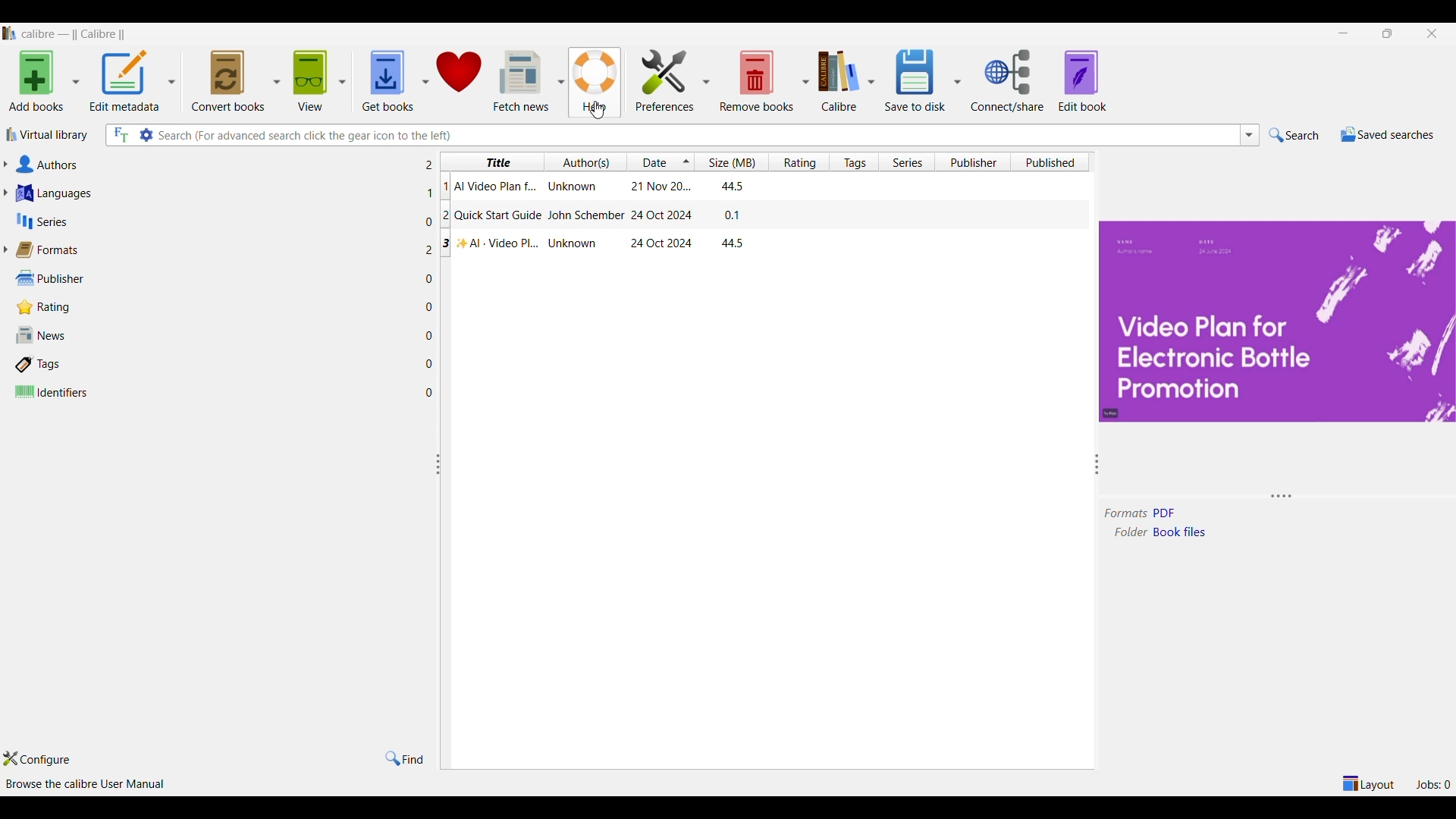  Describe the element at coordinates (916, 79) in the screenshot. I see `Save to disk` at that location.